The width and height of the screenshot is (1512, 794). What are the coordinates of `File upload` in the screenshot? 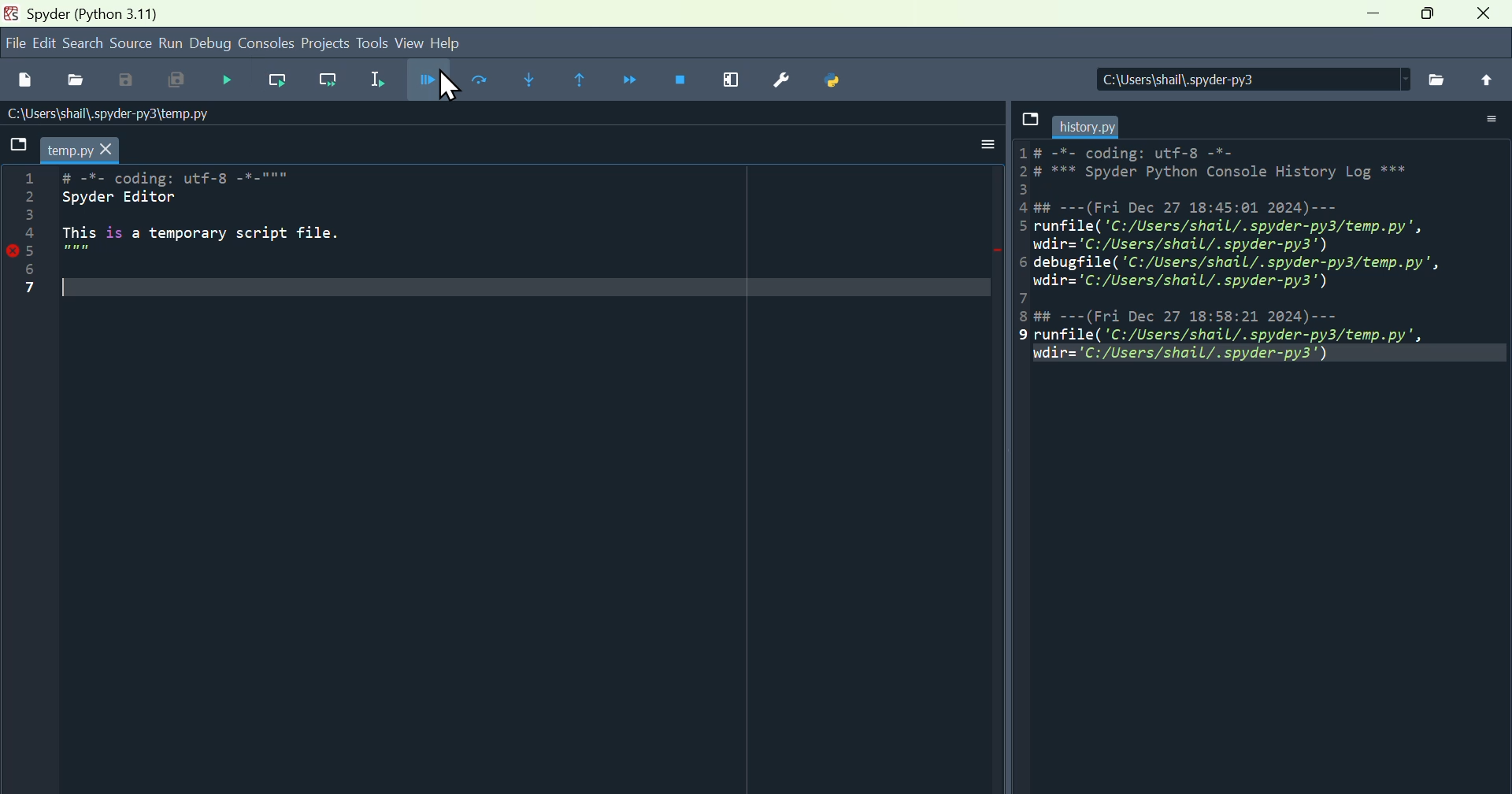 It's located at (1490, 78).